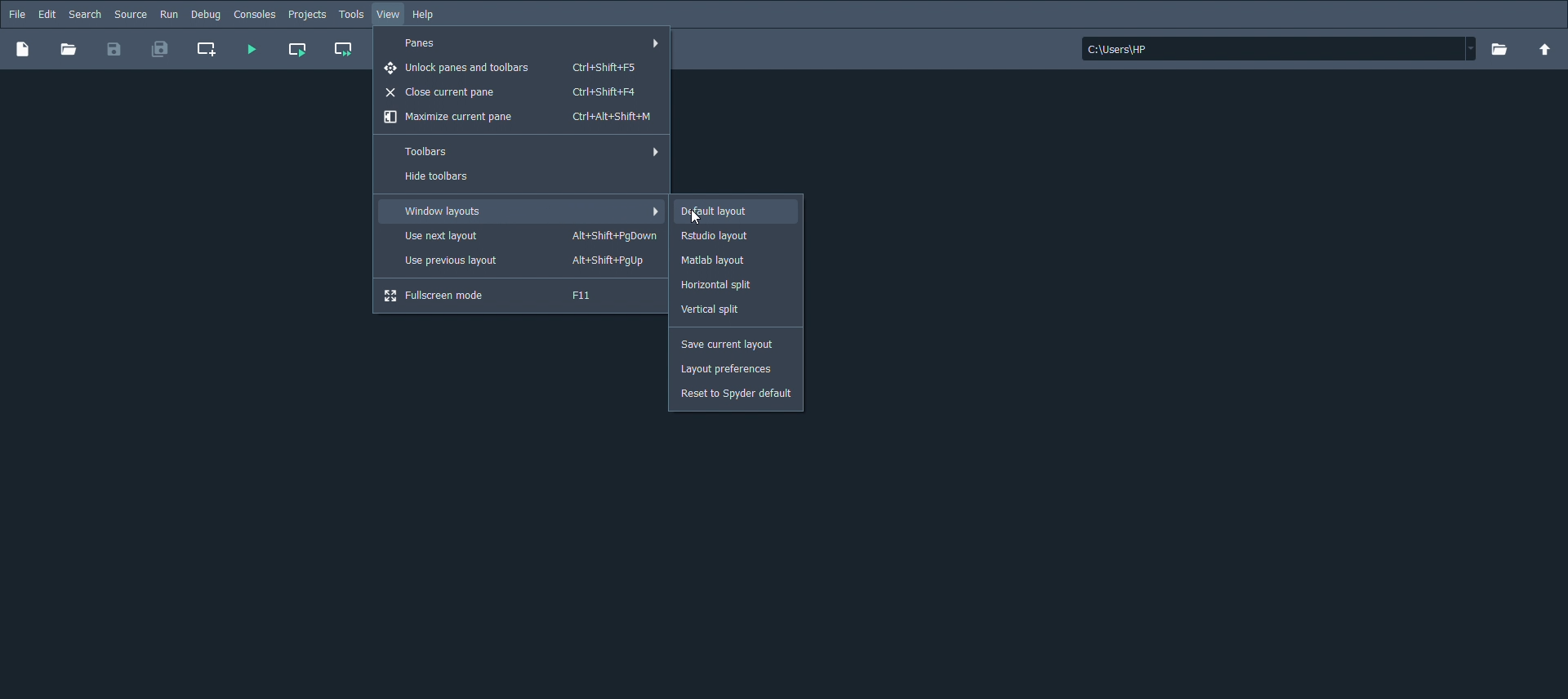 The image size is (1568, 699). I want to click on Layout preferences, so click(729, 370).